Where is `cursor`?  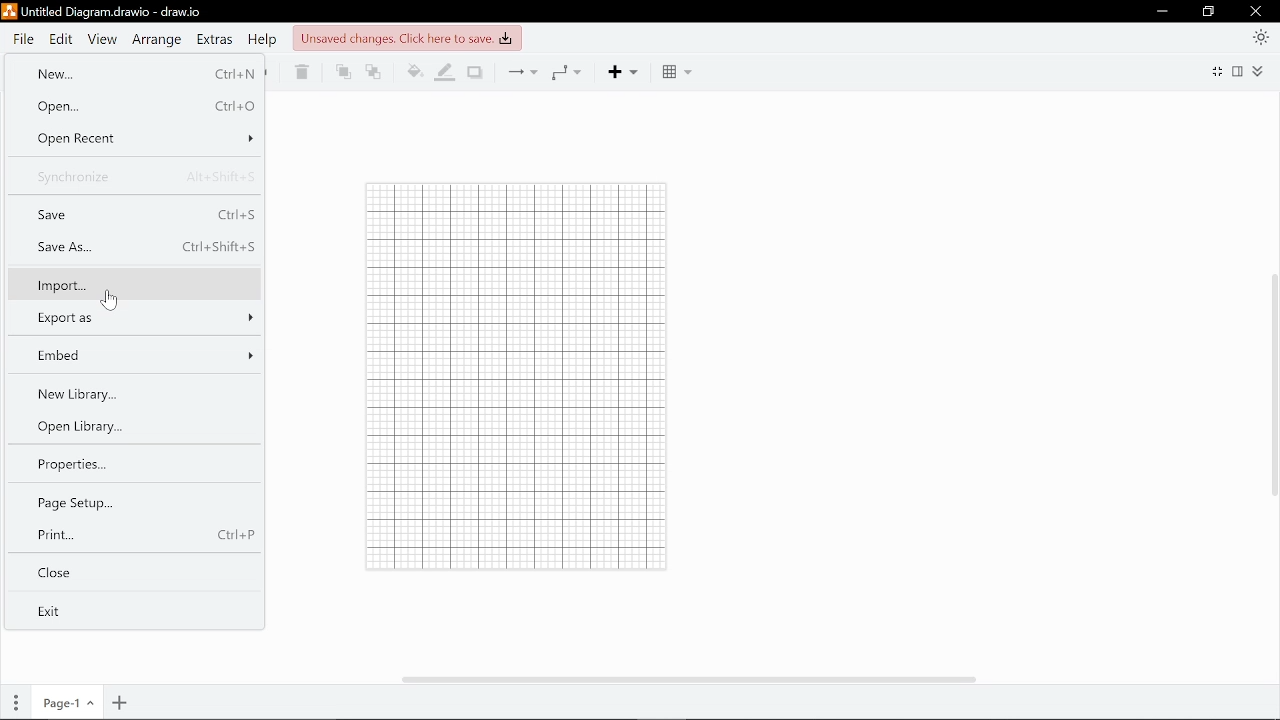 cursor is located at coordinates (110, 300).